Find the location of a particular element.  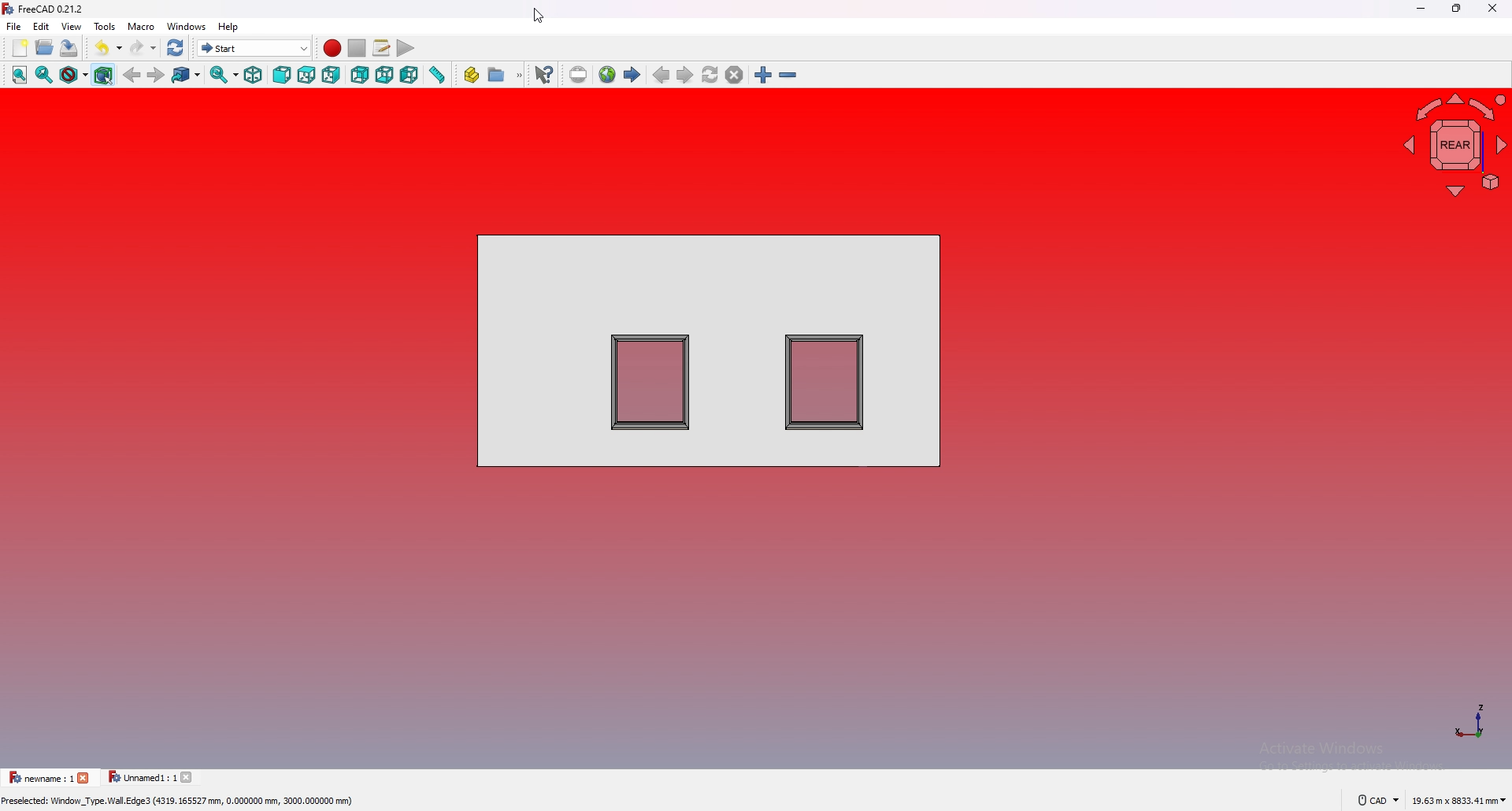

stop macro is located at coordinates (358, 49).